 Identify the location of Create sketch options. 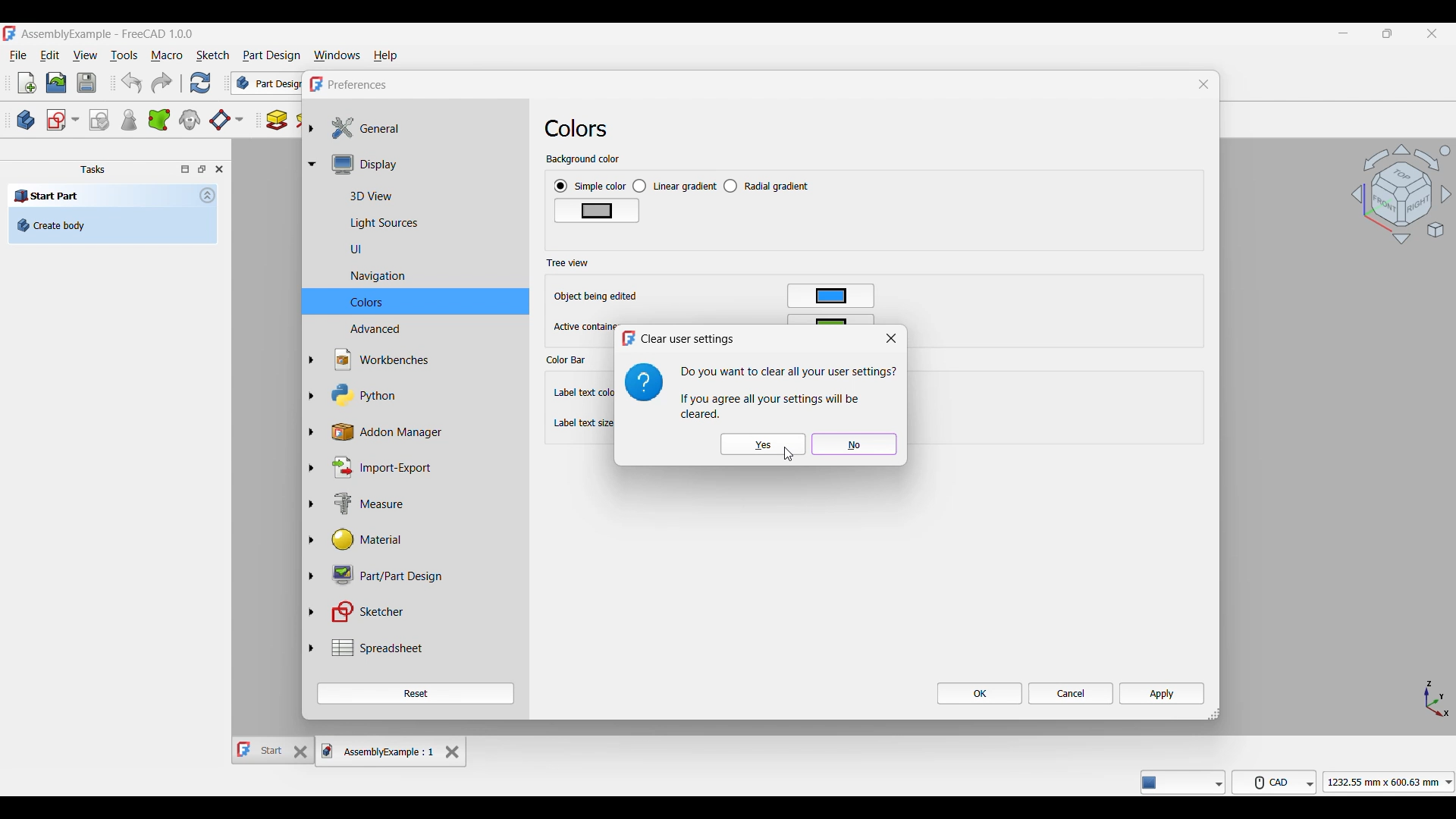
(62, 121).